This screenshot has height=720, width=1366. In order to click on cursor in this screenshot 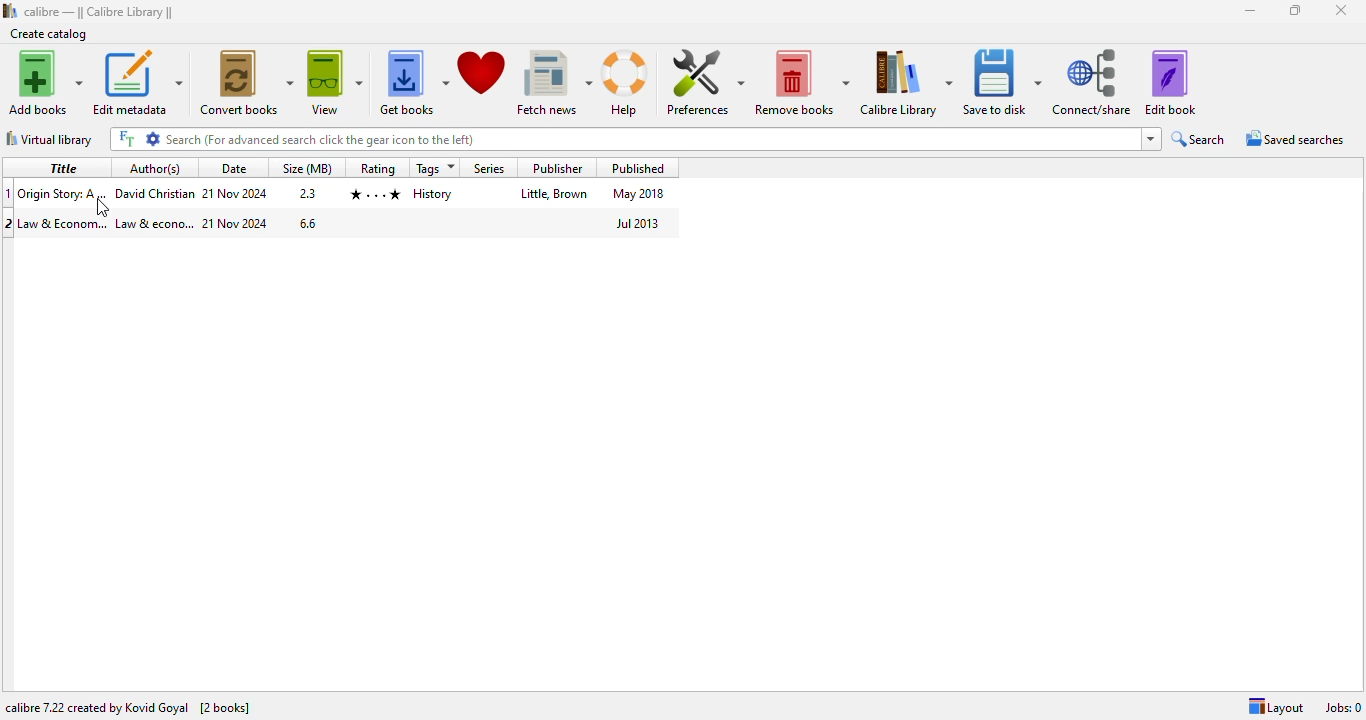, I will do `click(106, 208)`.